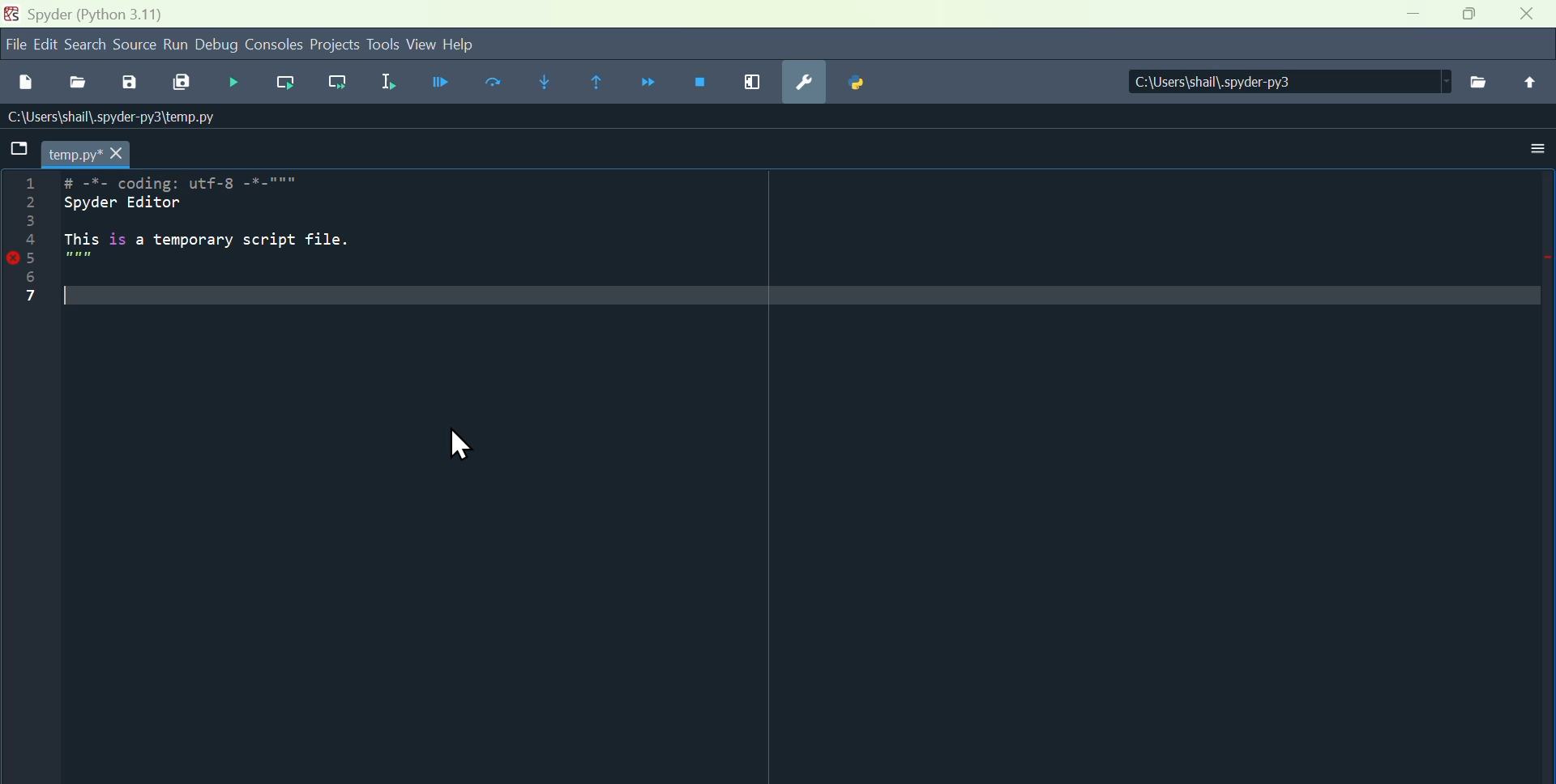  Describe the element at coordinates (132, 86) in the screenshot. I see `save` at that location.